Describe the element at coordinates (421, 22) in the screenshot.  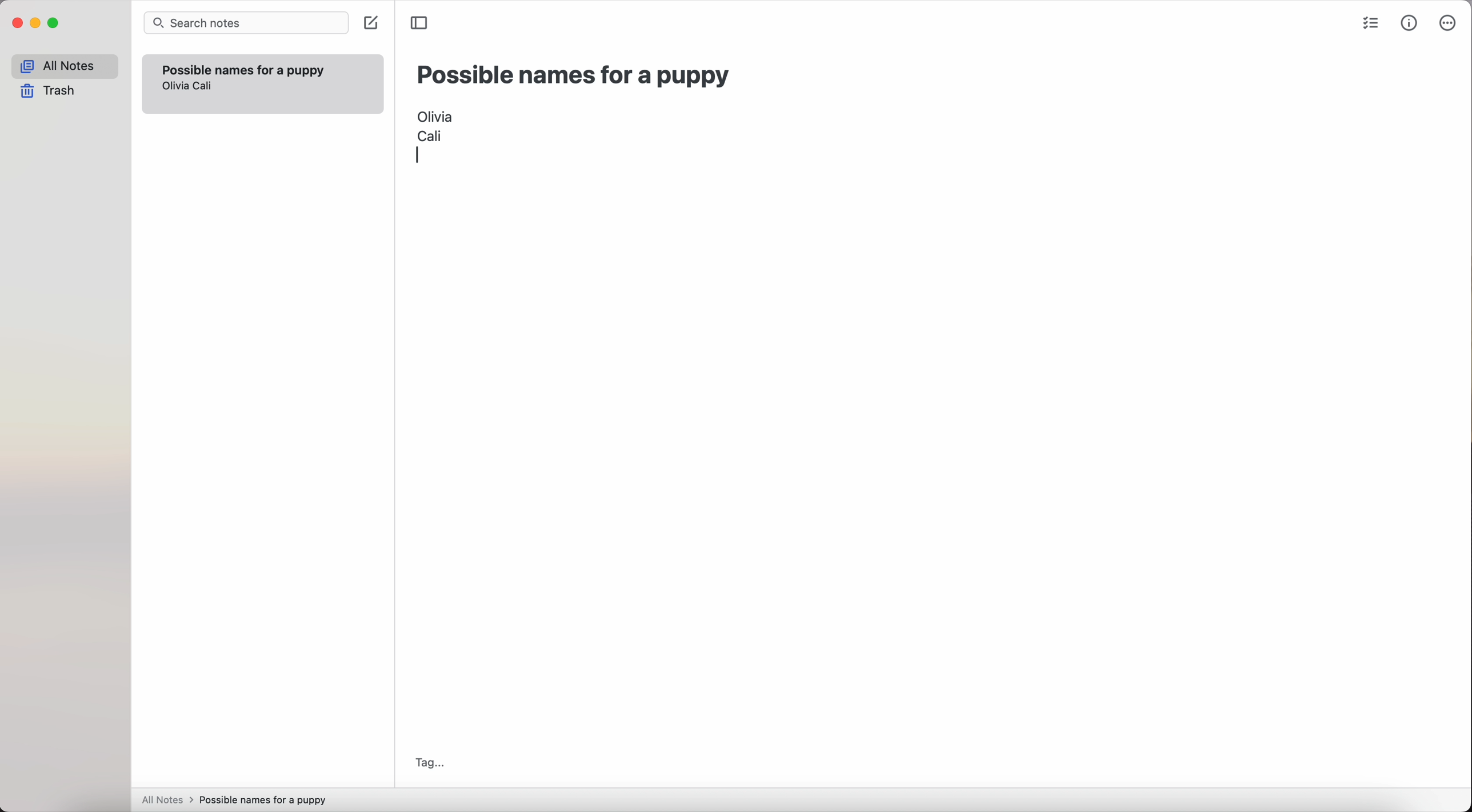
I see `toggle sidebar` at that location.